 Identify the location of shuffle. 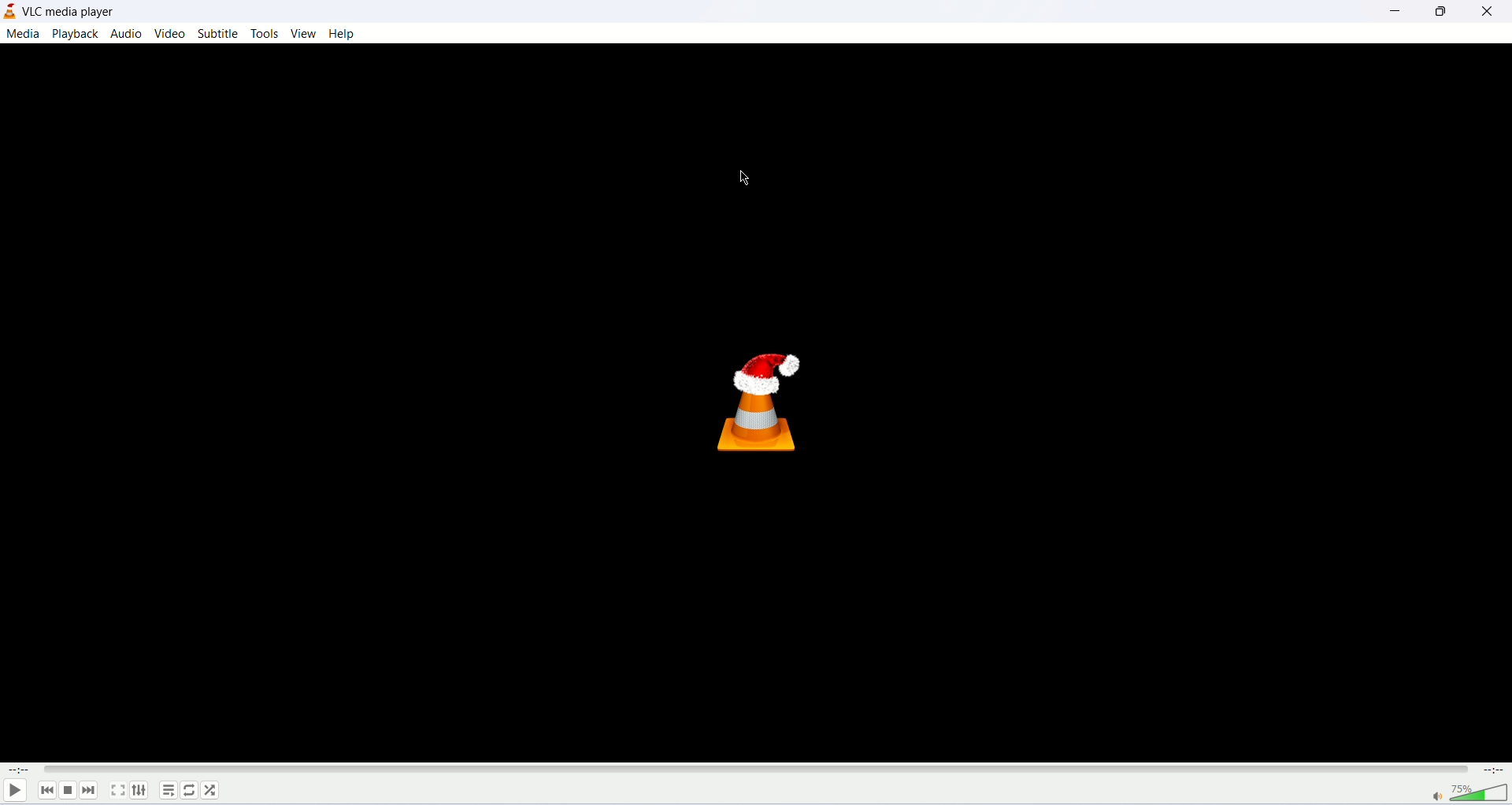
(210, 789).